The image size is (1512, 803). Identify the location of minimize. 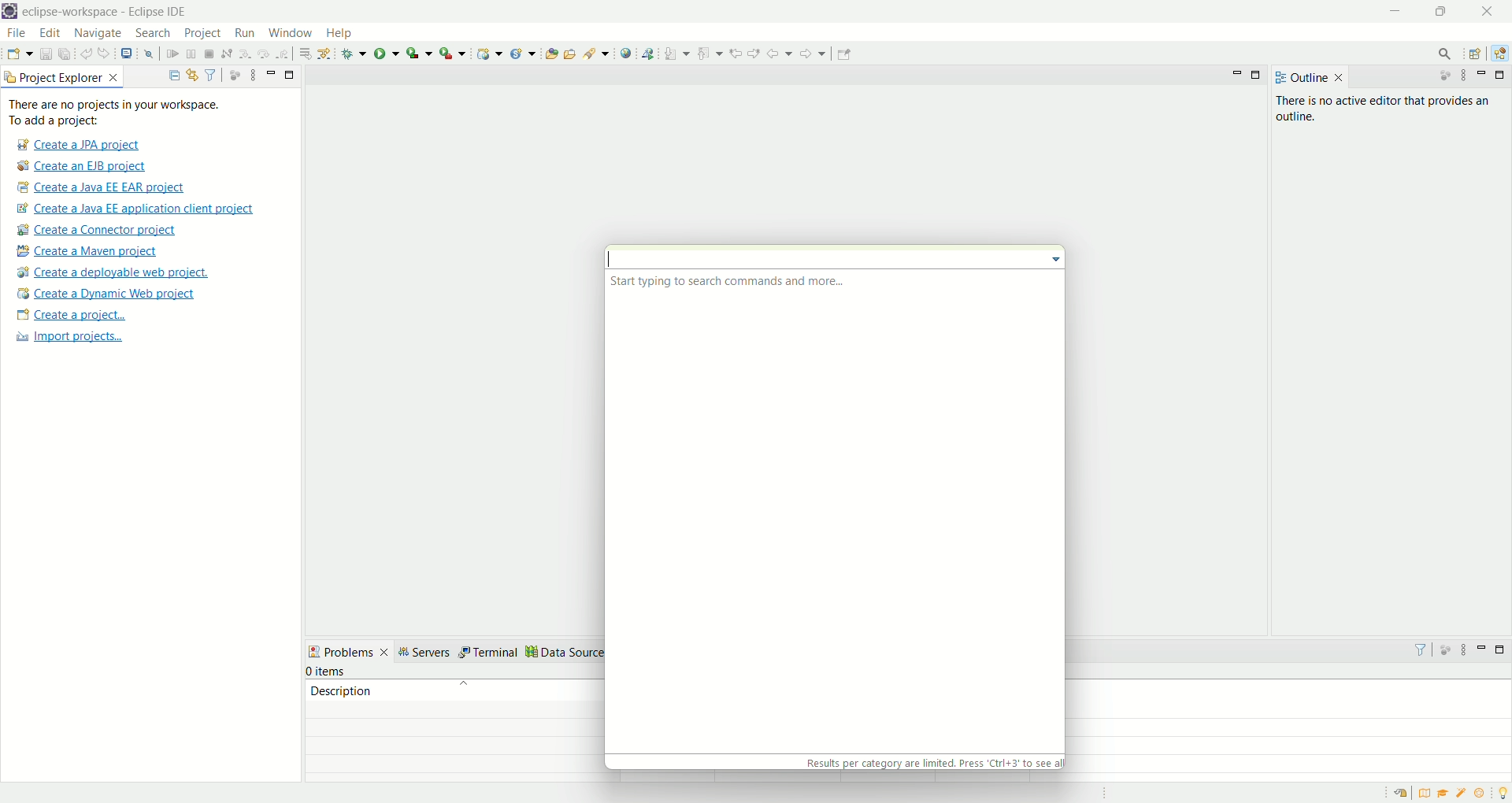
(1483, 76).